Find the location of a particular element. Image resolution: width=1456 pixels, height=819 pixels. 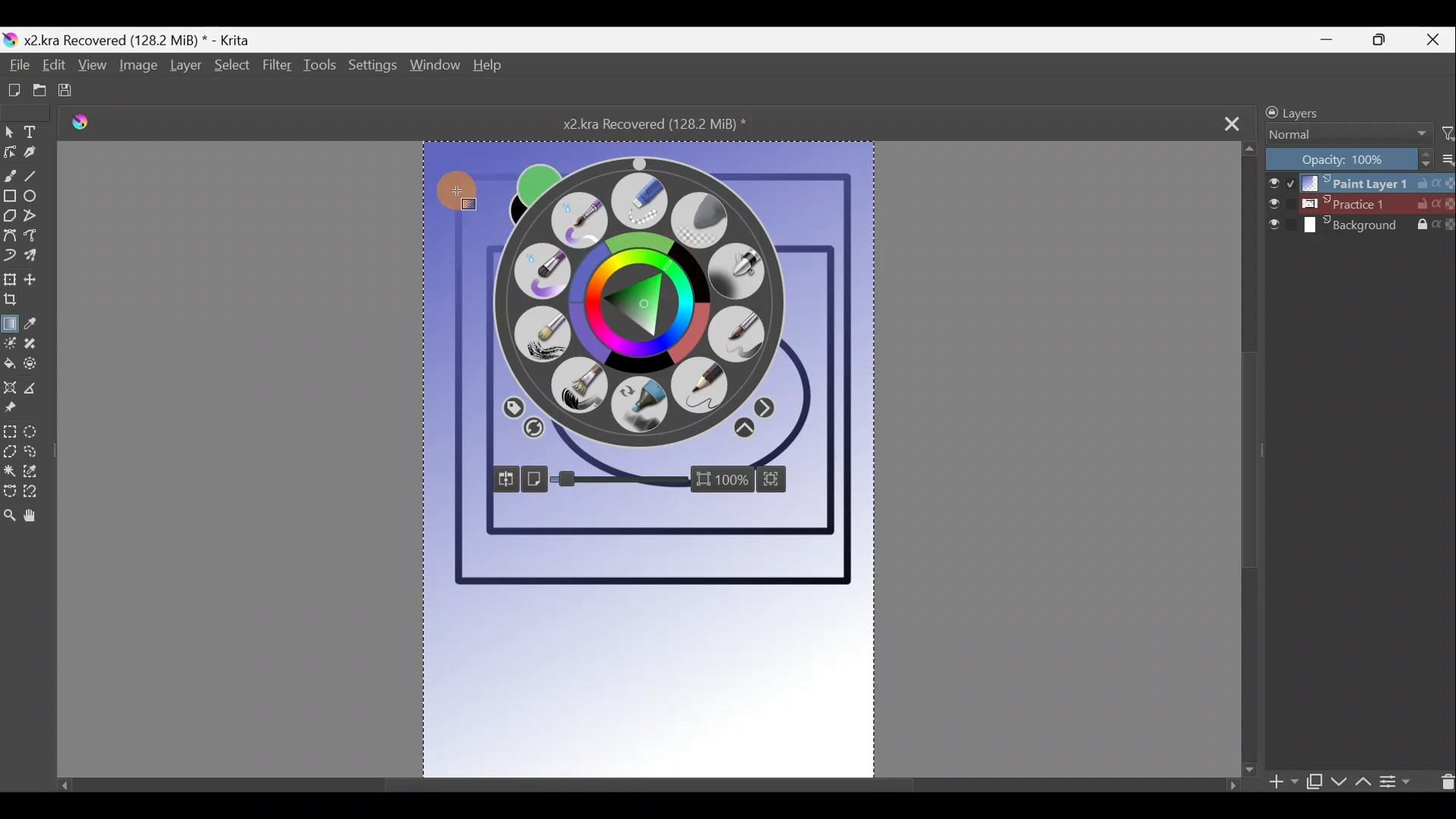

Document name is located at coordinates (670, 123).